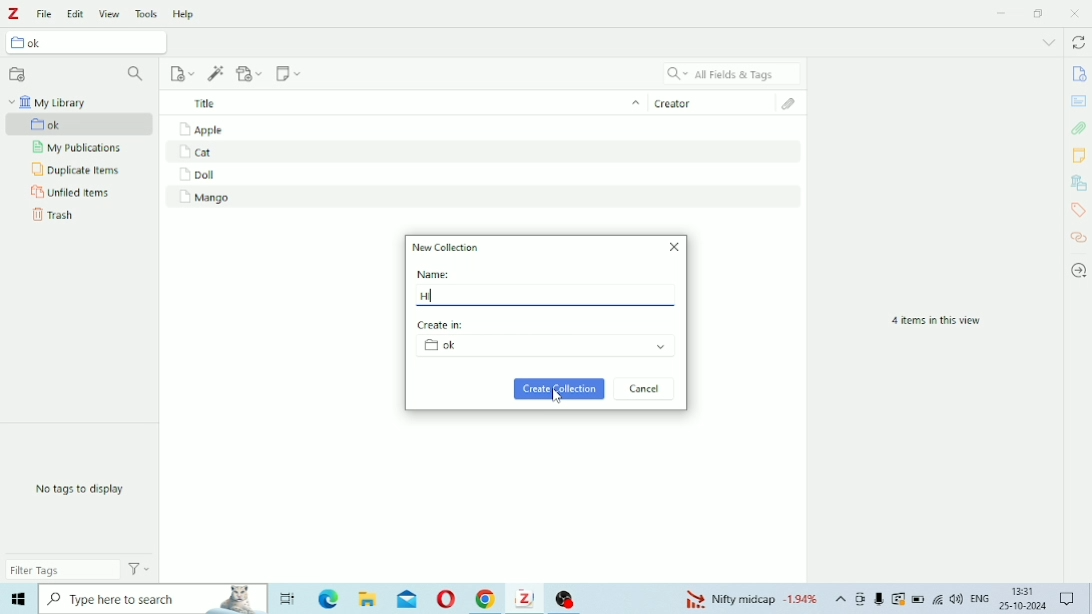  What do you see at coordinates (403, 102) in the screenshot?
I see `Title` at bounding box center [403, 102].